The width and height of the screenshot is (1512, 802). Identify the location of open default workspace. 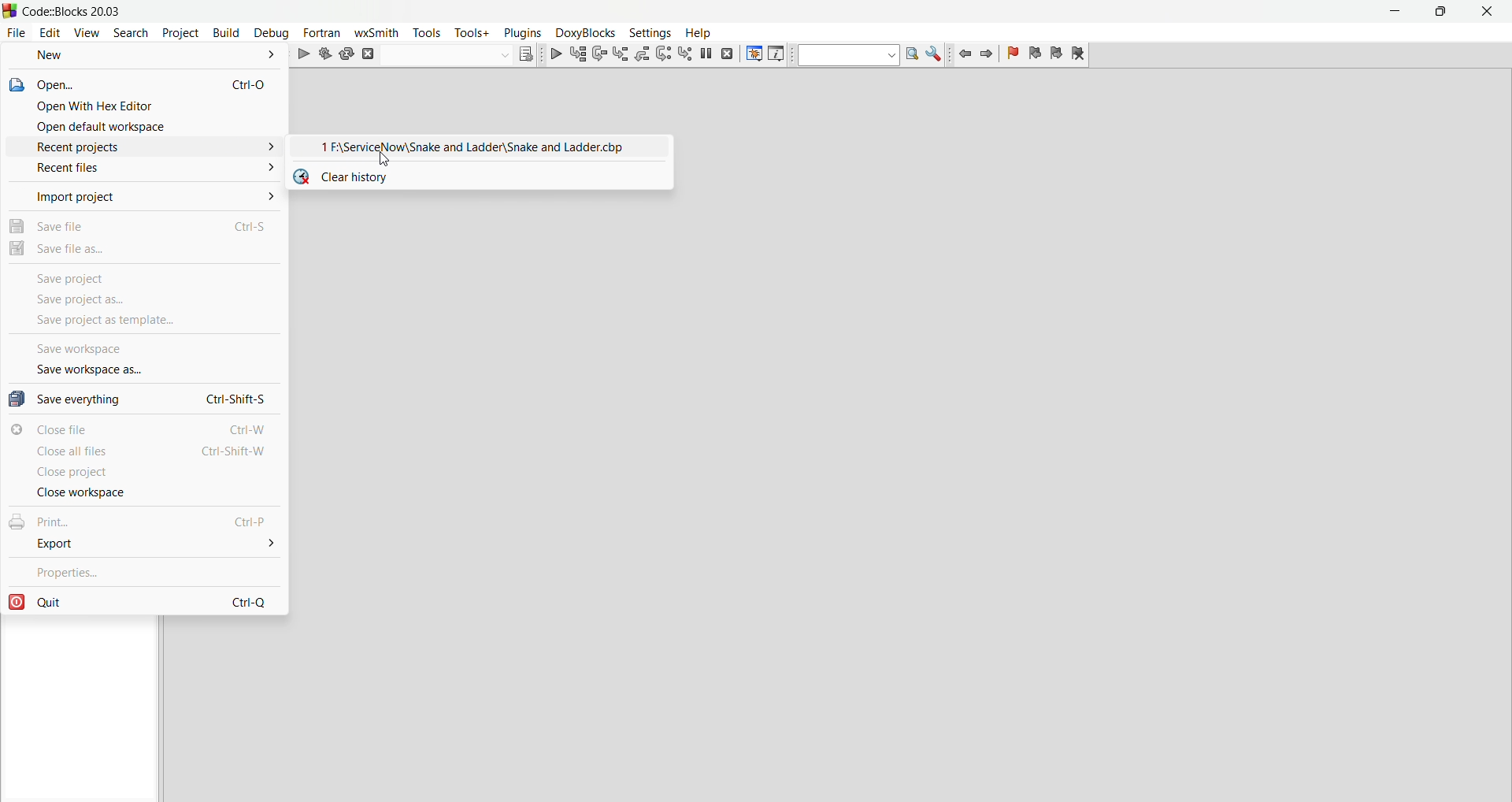
(145, 127).